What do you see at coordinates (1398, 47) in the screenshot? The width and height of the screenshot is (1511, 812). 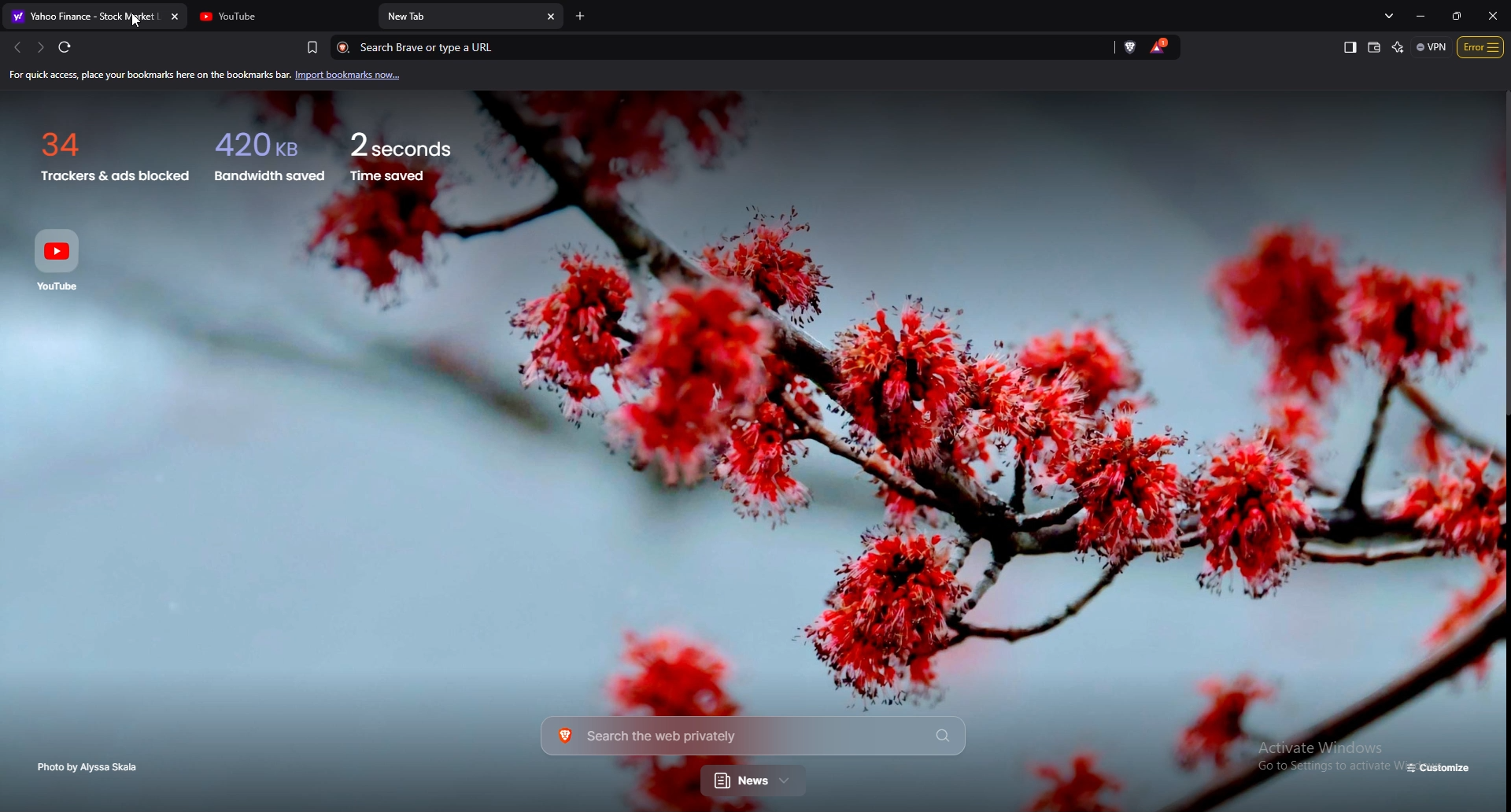 I see `leo ai` at bounding box center [1398, 47].